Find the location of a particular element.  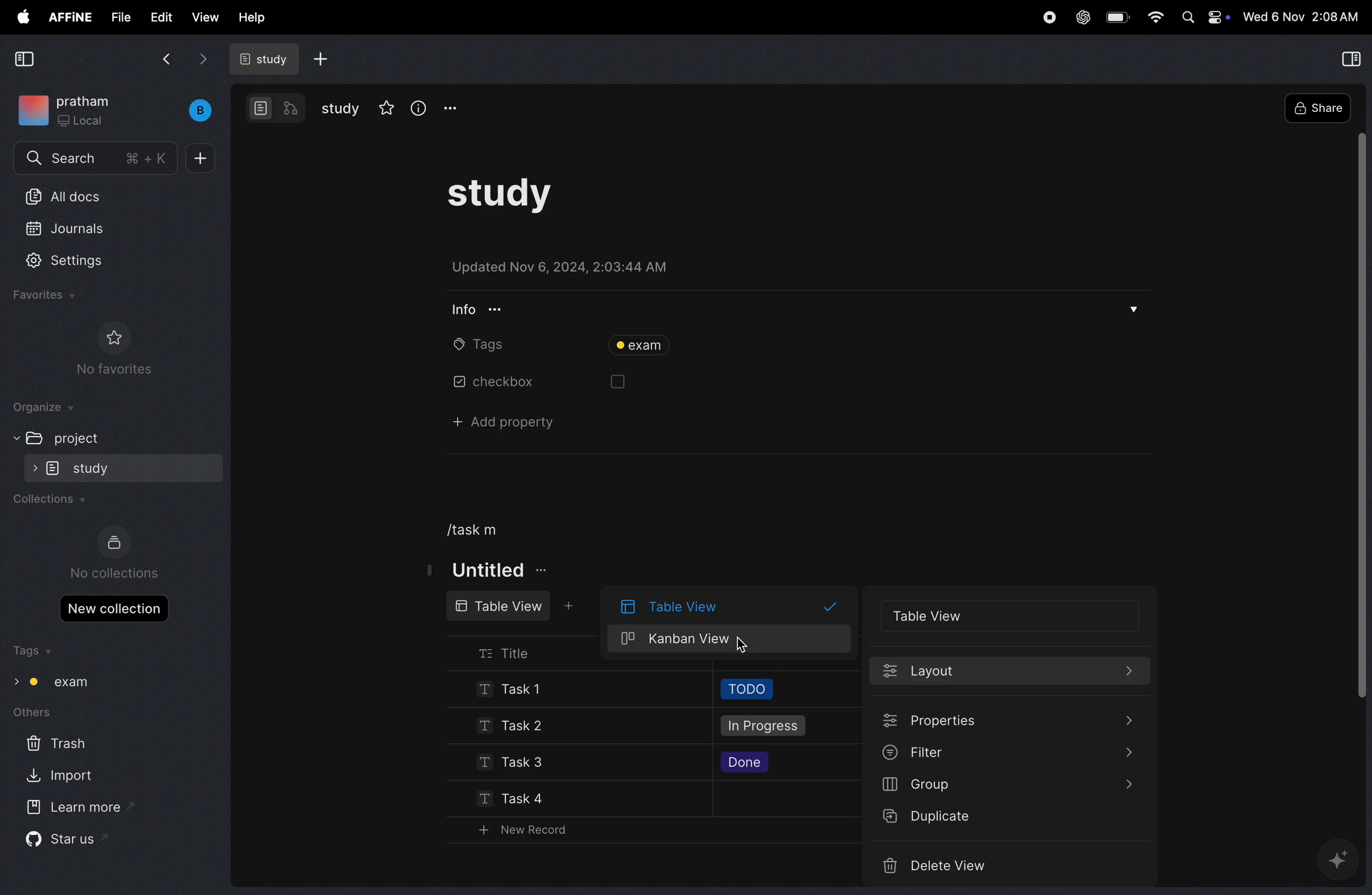

add property is located at coordinates (487, 423).